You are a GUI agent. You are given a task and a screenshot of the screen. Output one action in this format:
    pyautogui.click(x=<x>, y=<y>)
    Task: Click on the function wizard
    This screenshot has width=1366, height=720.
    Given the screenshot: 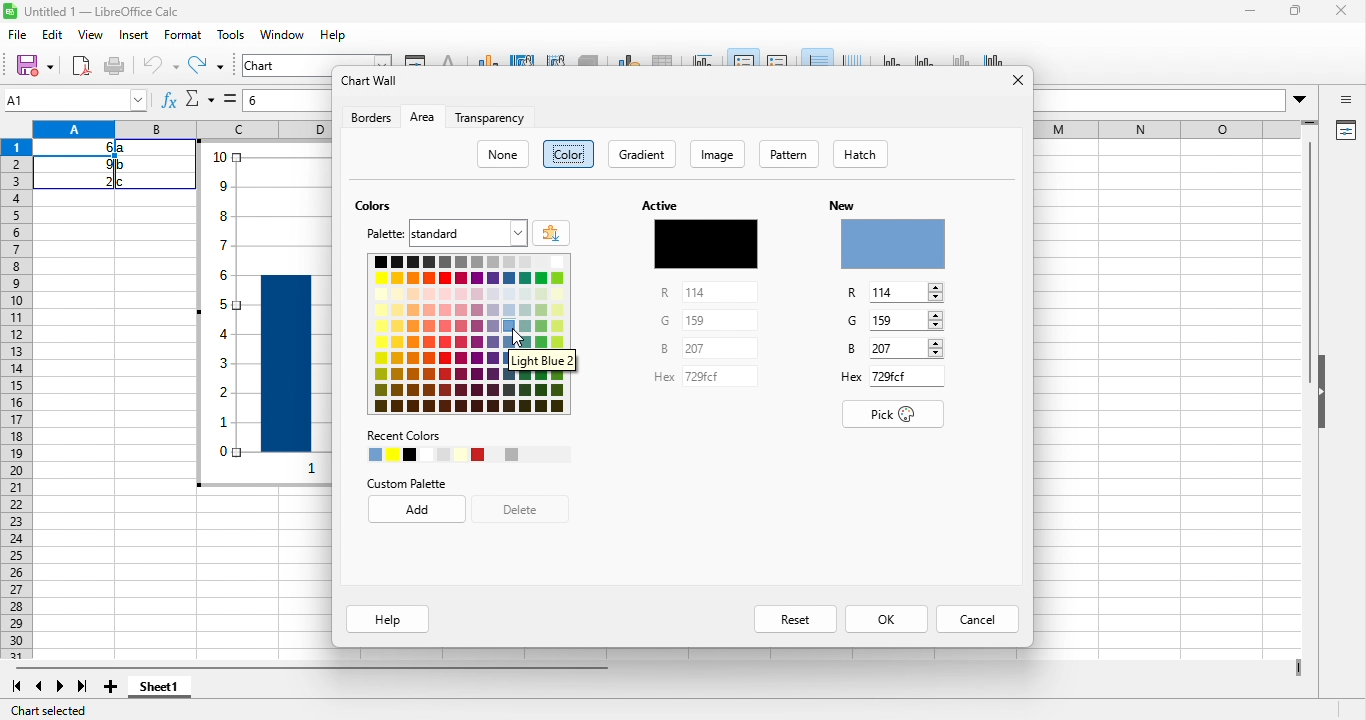 What is the action you would take?
    pyautogui.click(x=168, y=101)
    